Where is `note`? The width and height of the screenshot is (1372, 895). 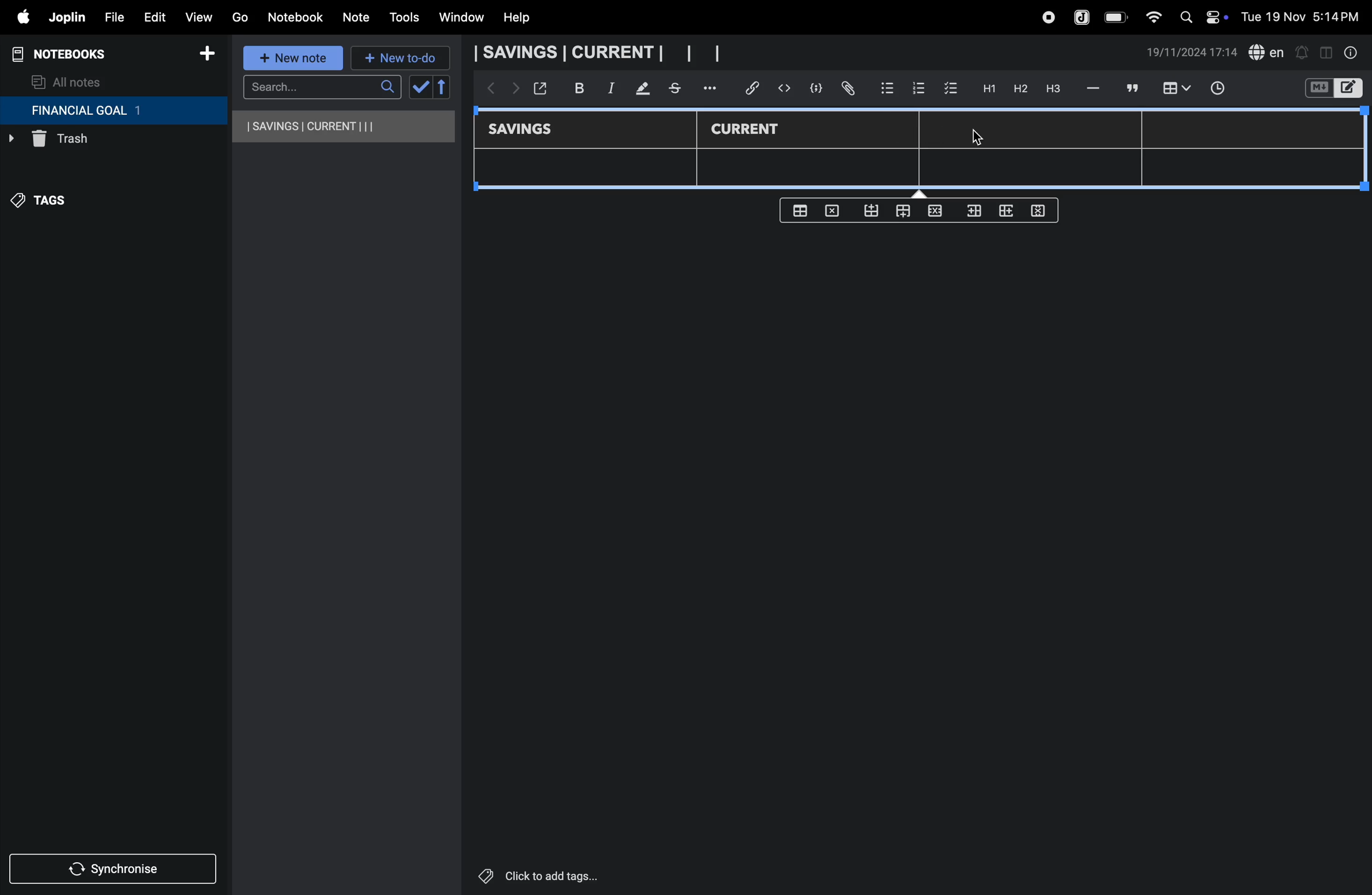 note is located at coordinates (358, 18).